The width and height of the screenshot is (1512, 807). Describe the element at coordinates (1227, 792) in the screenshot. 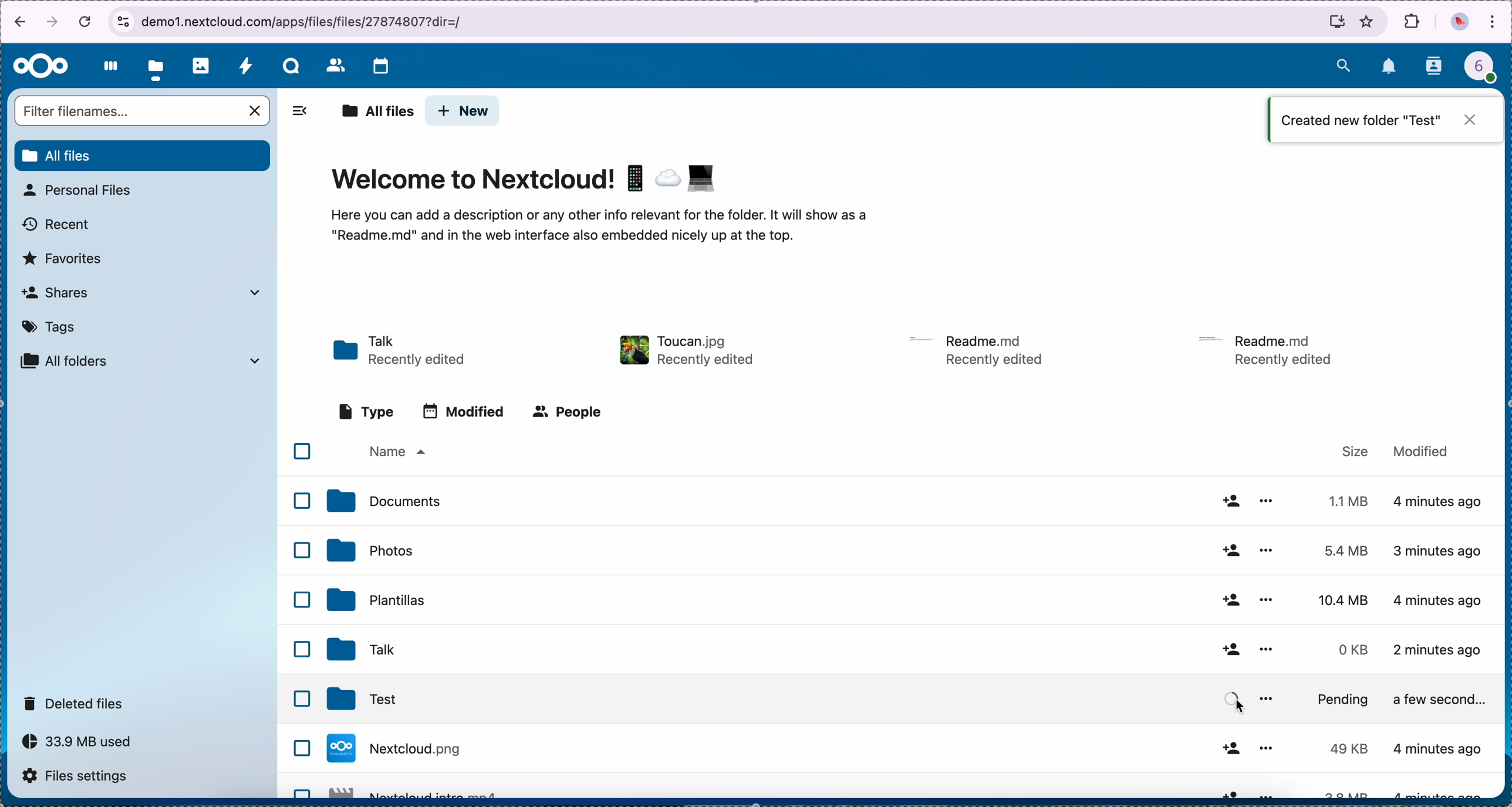

I see `share` at that location.